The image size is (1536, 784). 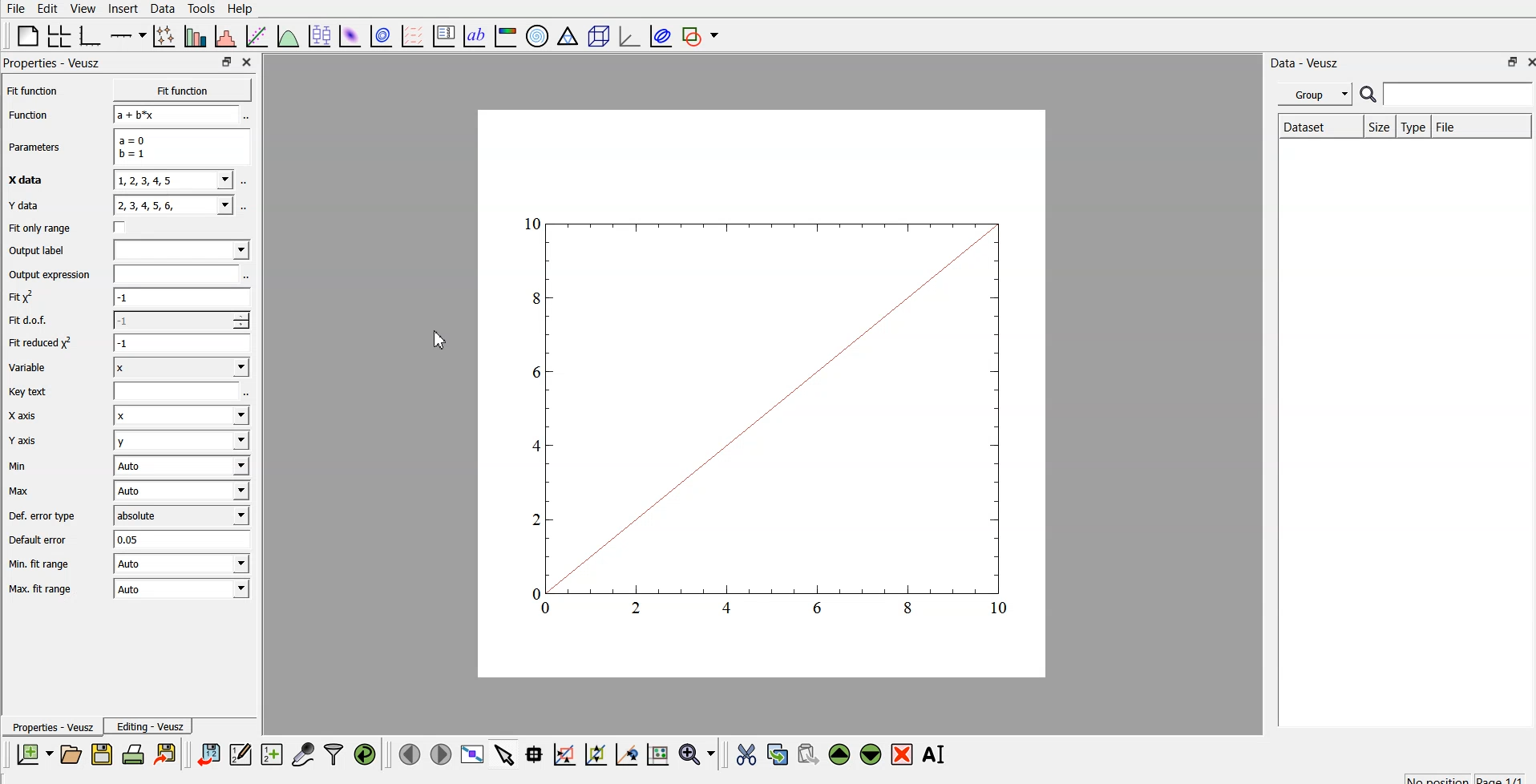 I want to click on restore down, so click(x=224, y=63).